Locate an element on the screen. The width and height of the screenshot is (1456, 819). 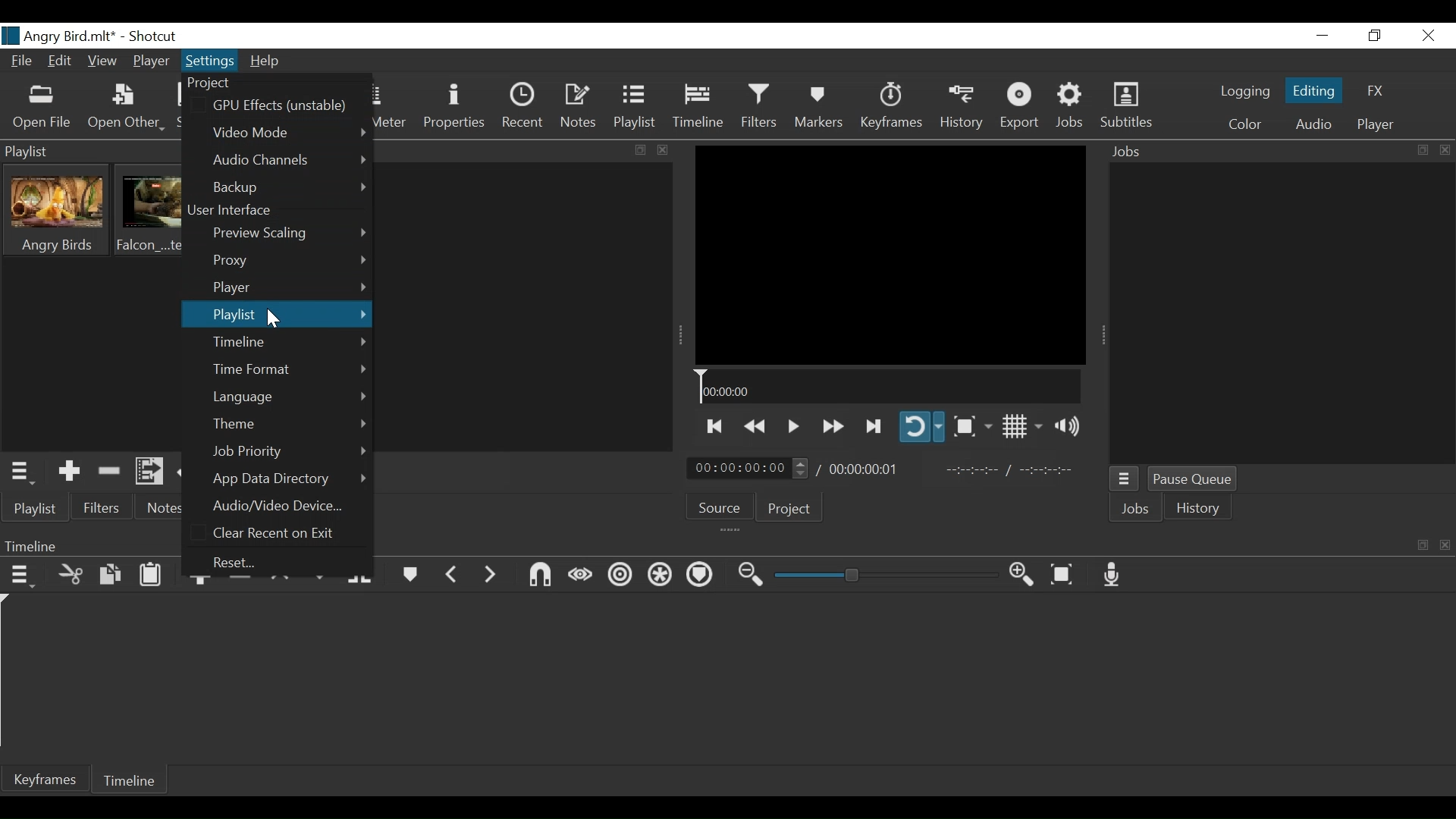
Export is located at coordinates (1021, 106).